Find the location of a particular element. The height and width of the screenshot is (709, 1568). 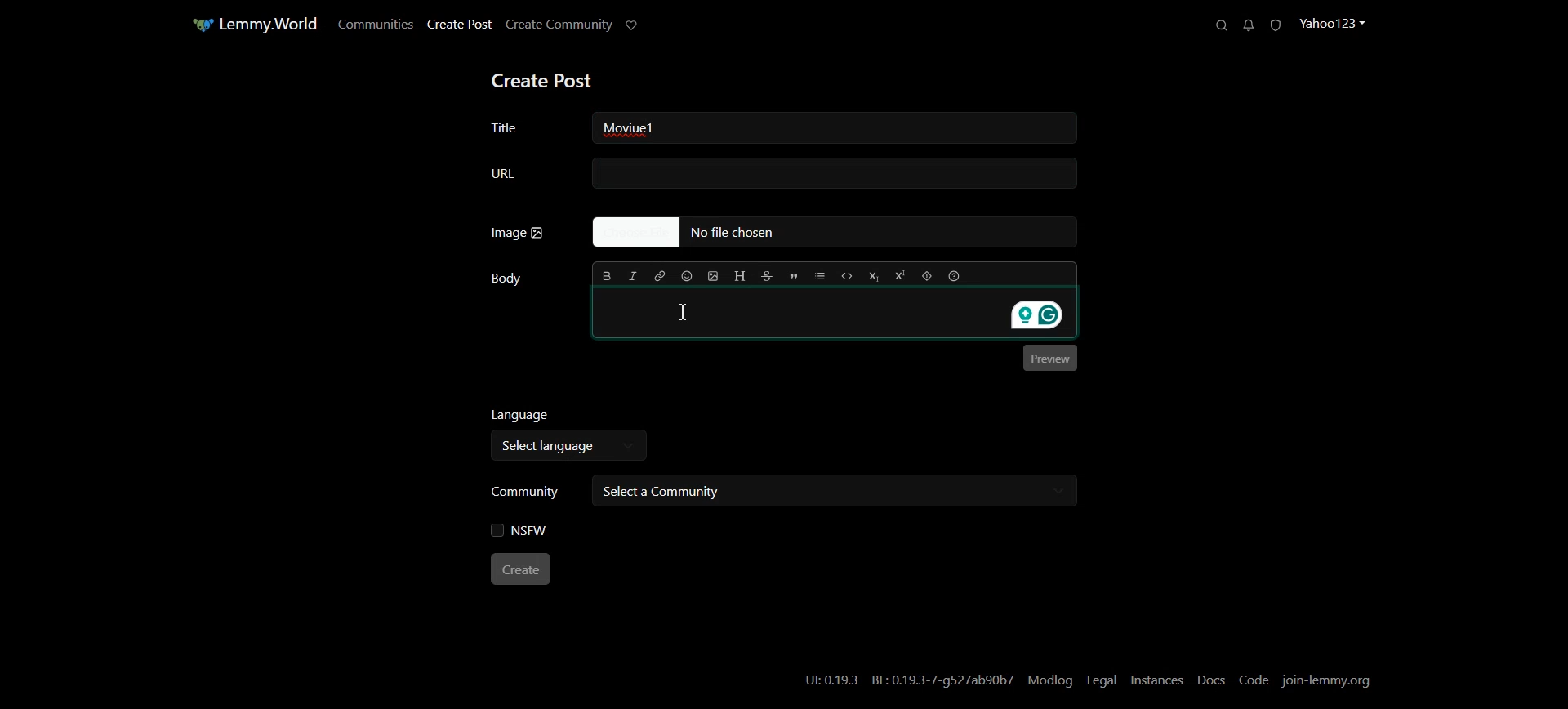

Unread Messages is located at coordinates (1248, 25).